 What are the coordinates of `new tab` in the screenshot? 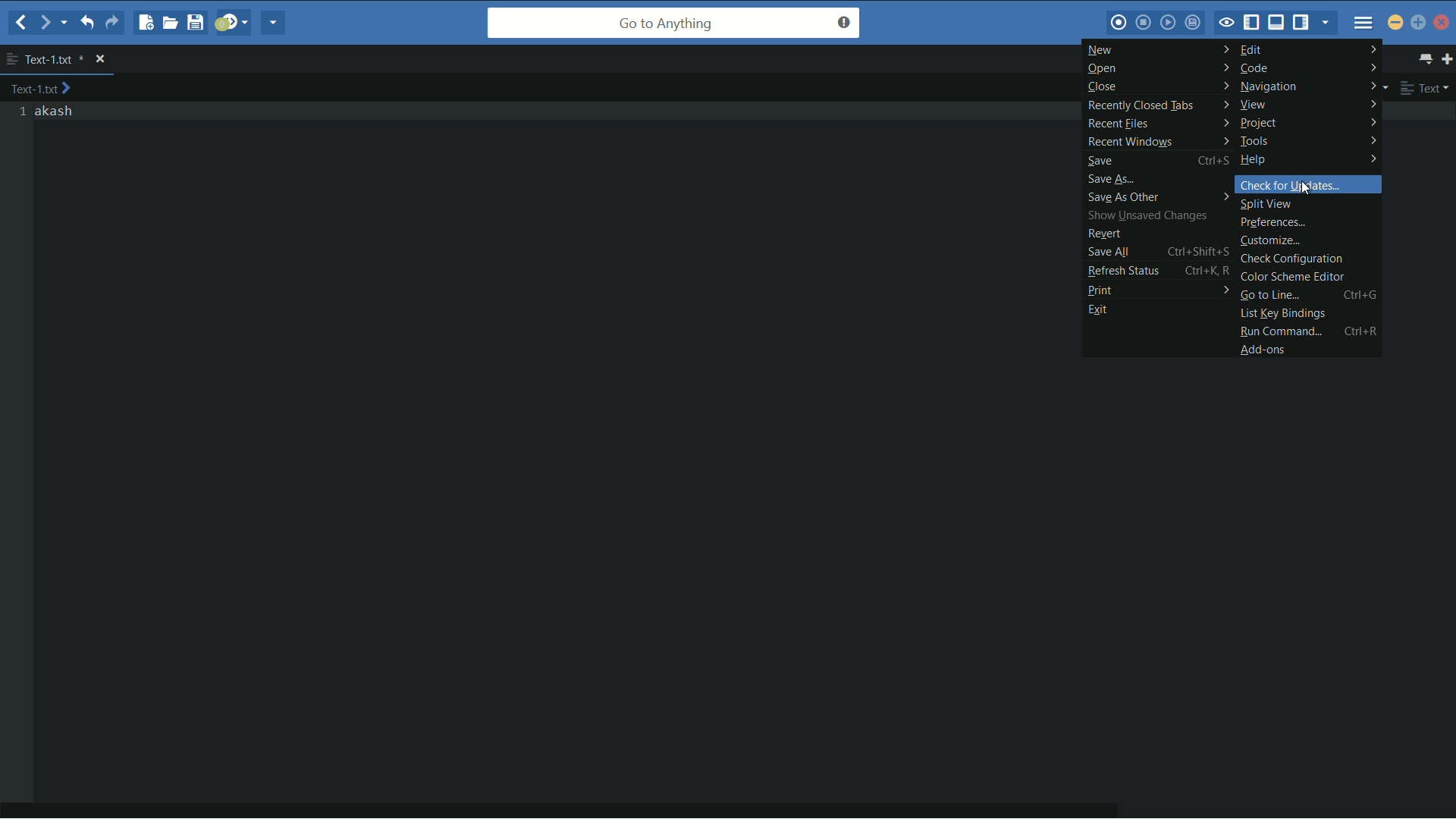 It's located at (1447, 60).